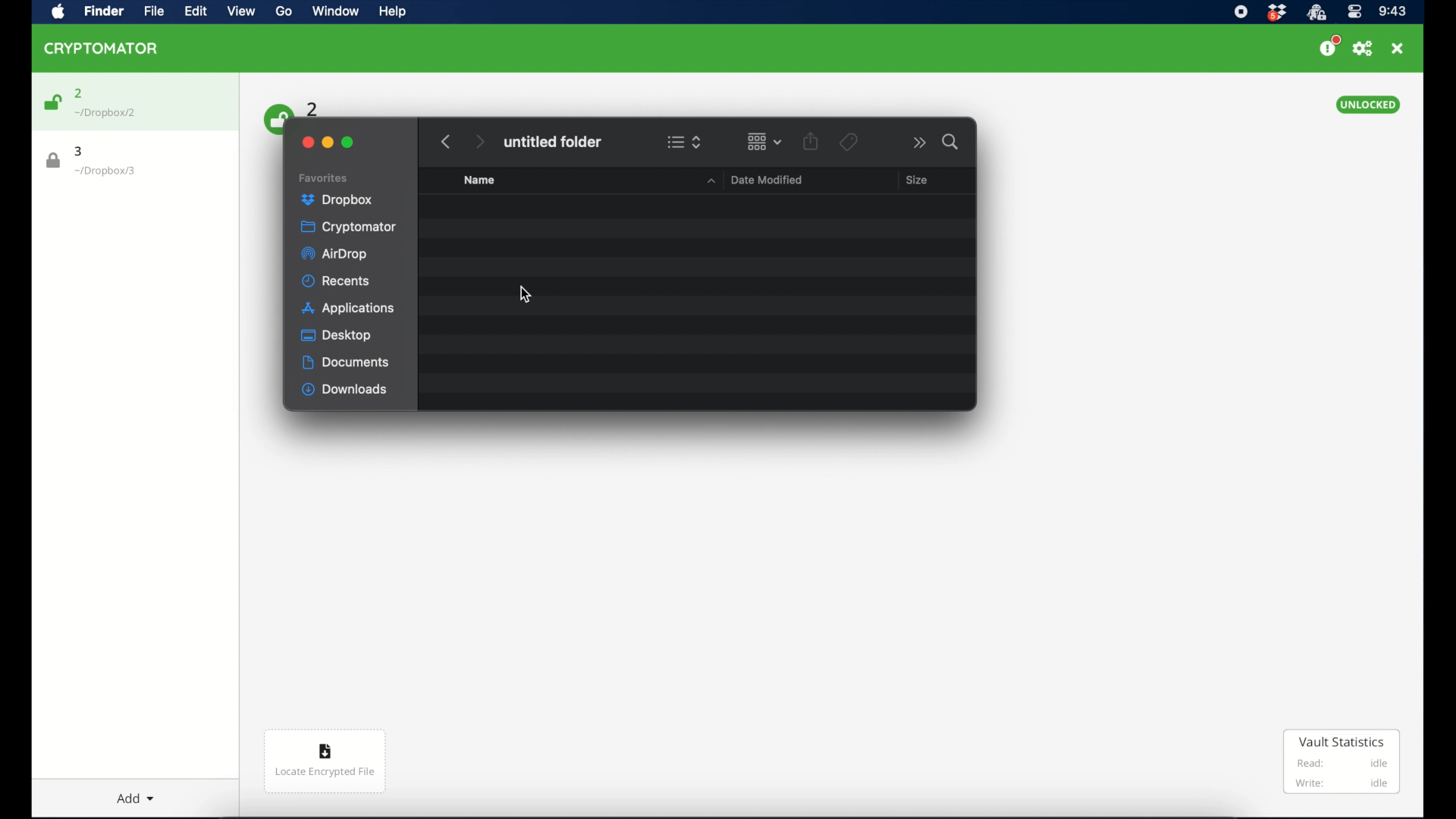  I want to click on apple icon, so click(58, 12).